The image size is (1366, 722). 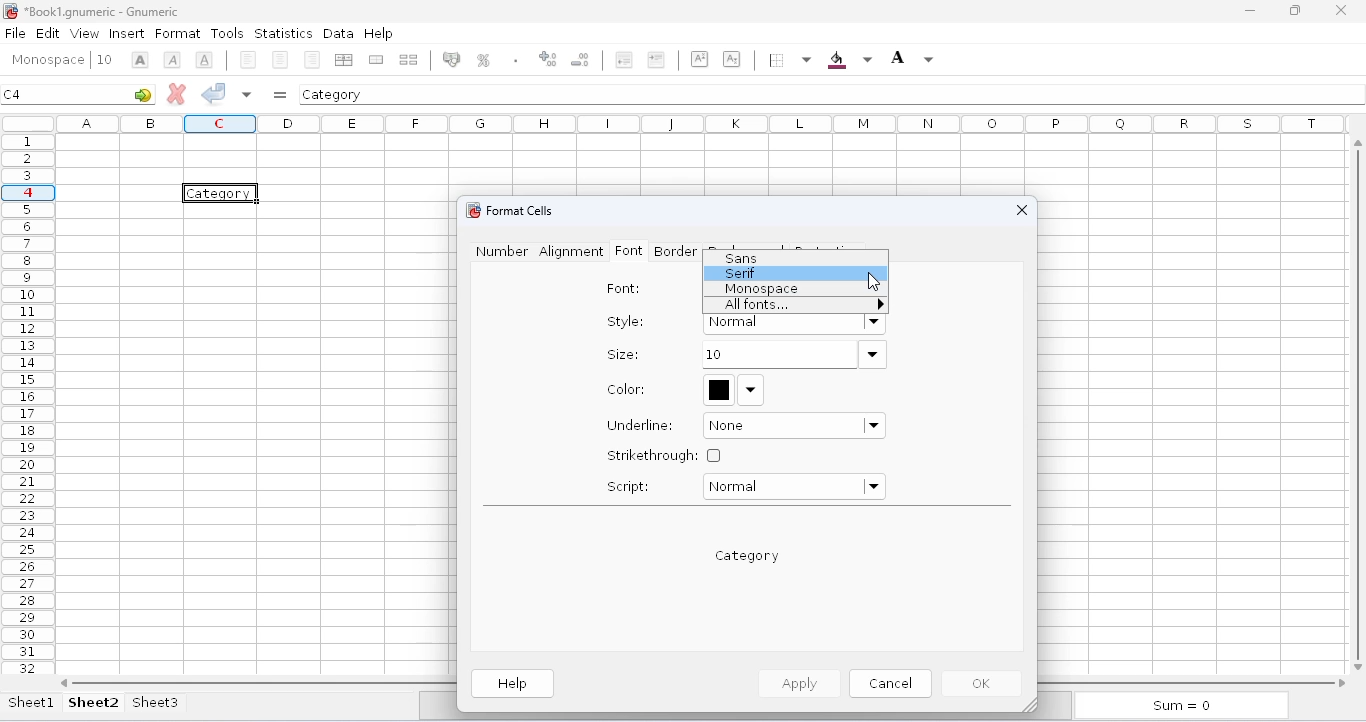 What do you see at coordinates (793, 355) in the screenshot?
I see `10` at bounding box center [793, 355].